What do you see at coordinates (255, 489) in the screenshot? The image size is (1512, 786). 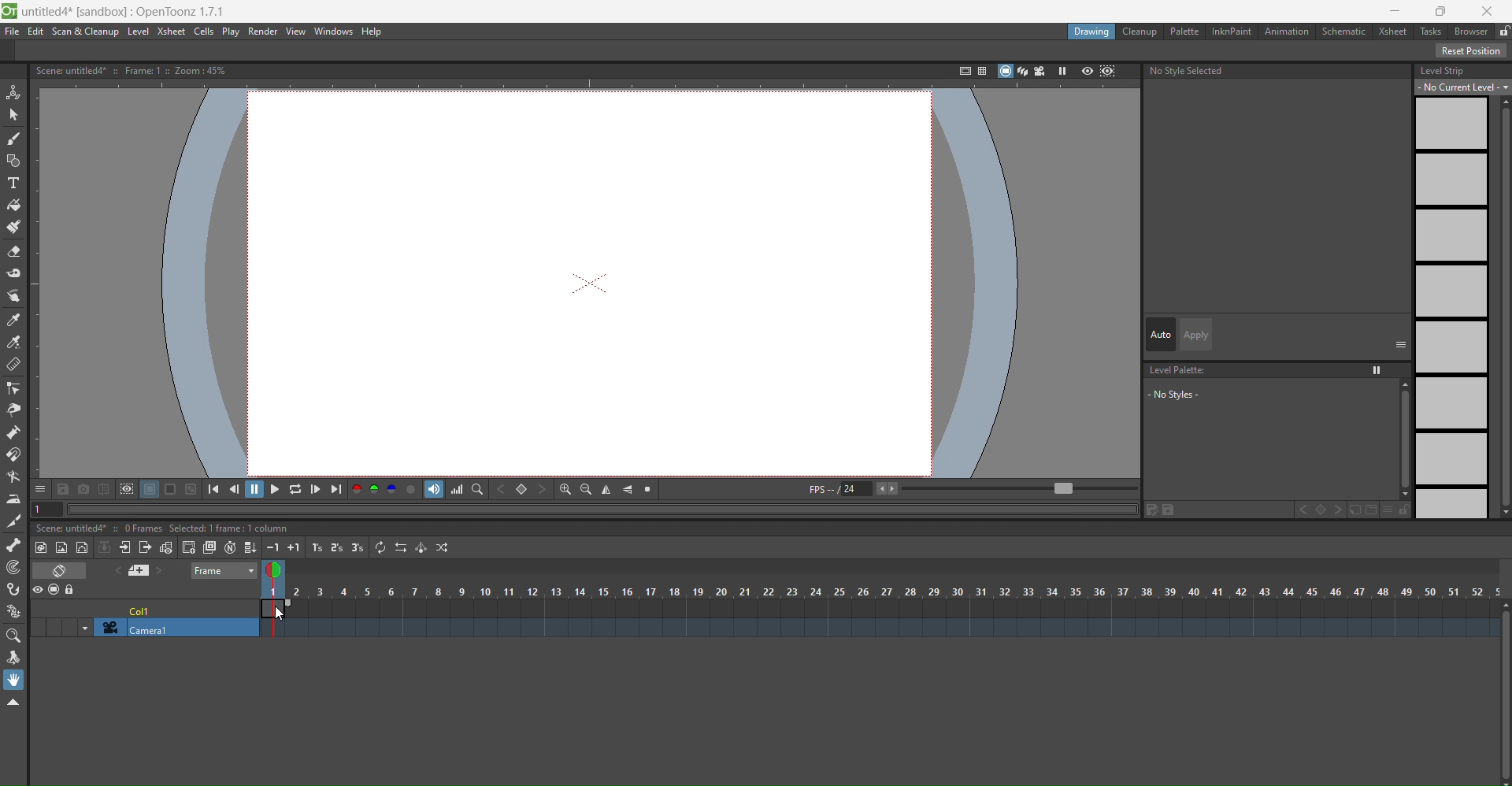 I see `pause` at bounding box center [255, 489].